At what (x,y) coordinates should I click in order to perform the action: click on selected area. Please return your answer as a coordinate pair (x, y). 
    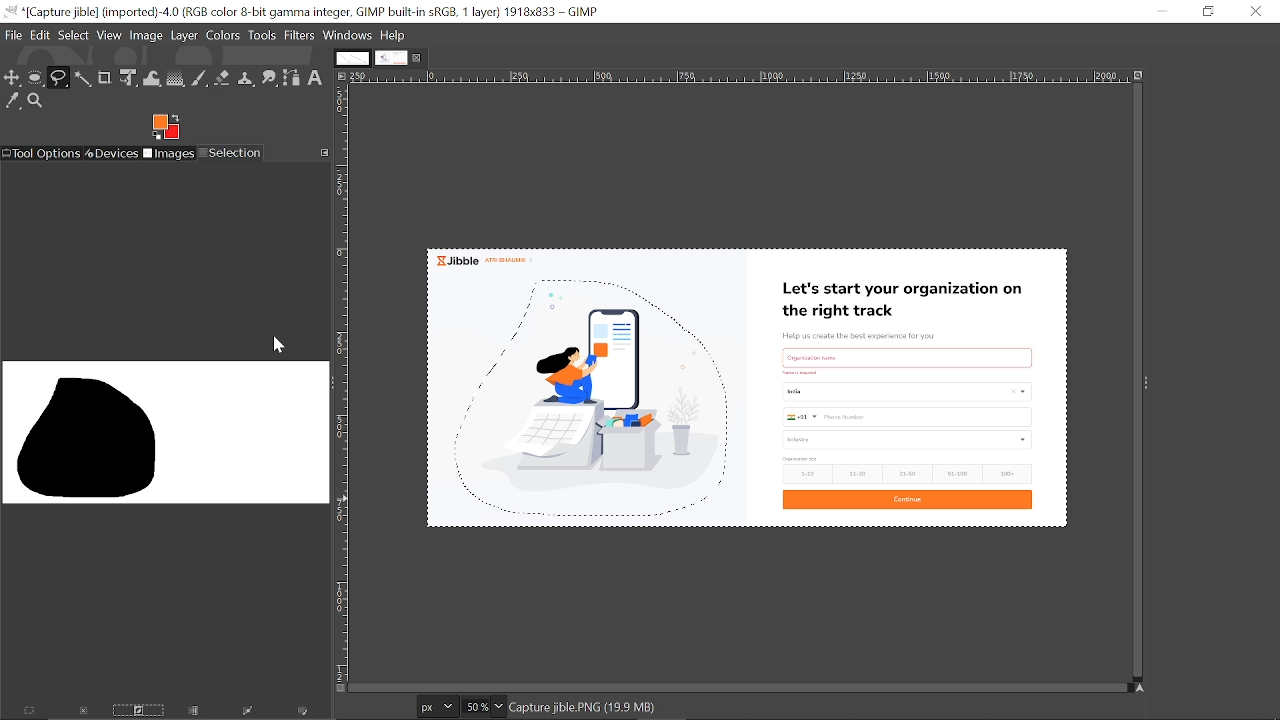
    Looking at the image, I should click on (588, 394).